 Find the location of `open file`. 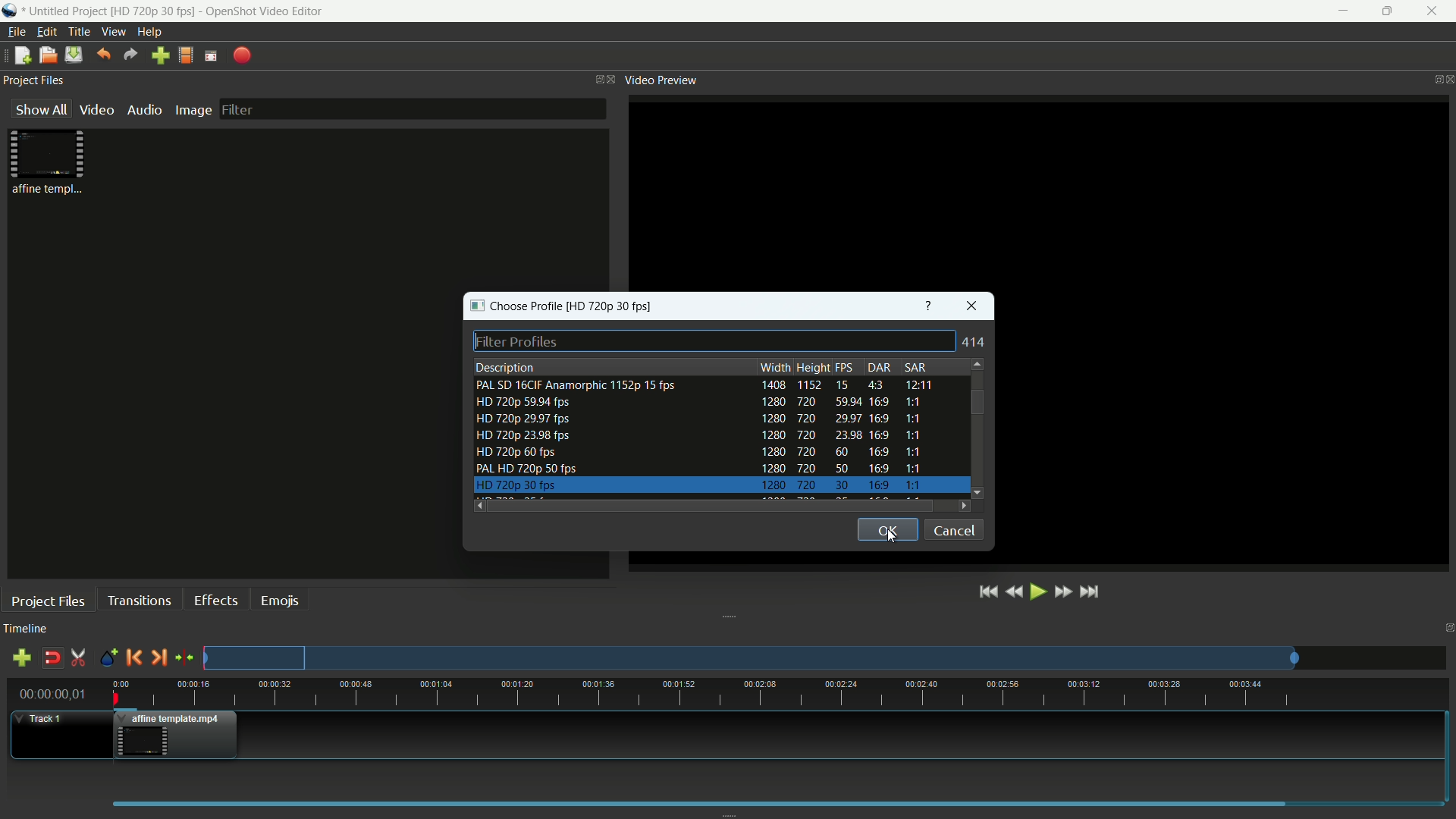

open file is located at coordinates (46, 55).